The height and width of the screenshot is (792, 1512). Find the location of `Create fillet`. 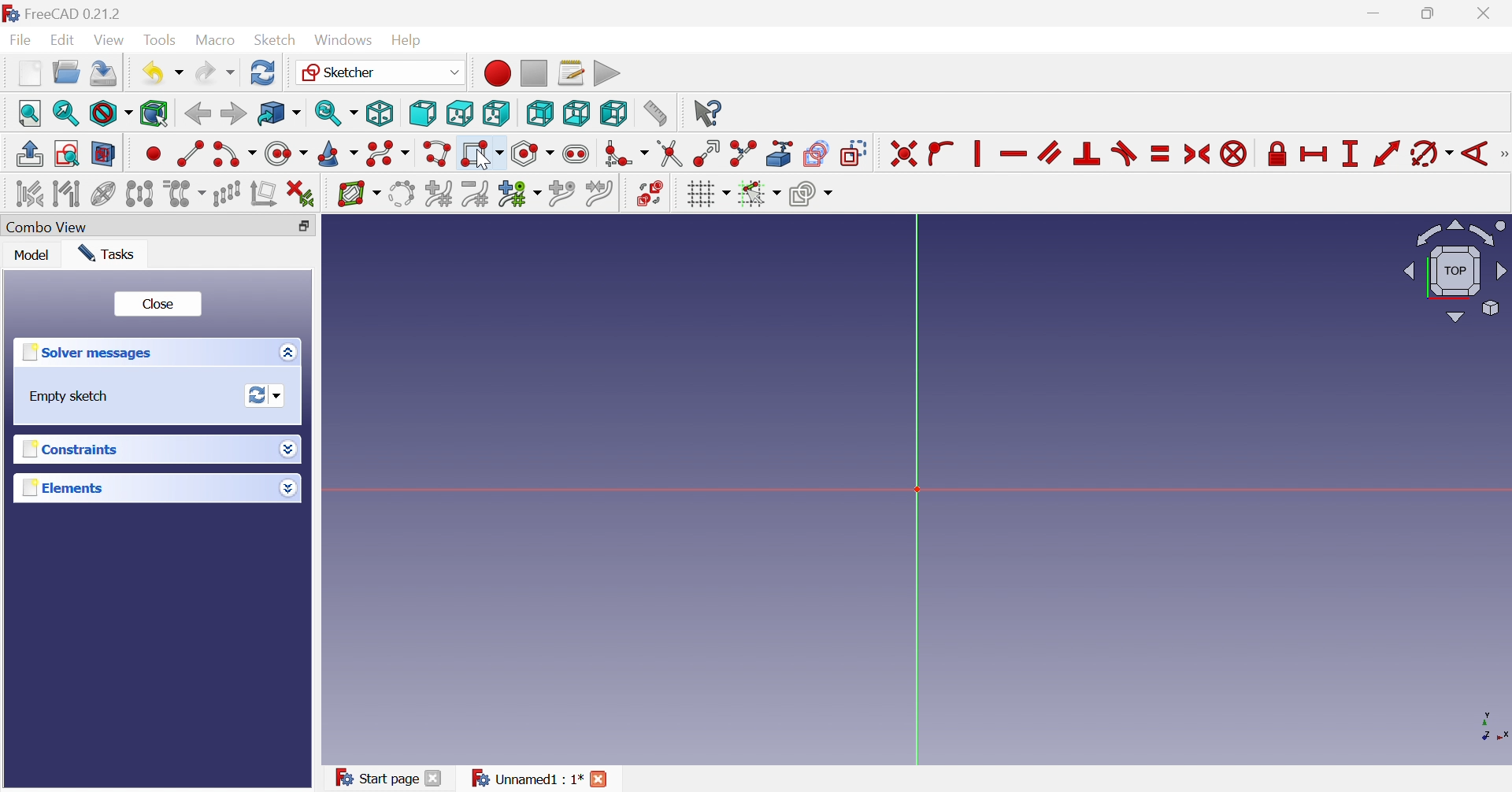

Create fillet is located at coordinates (625, 154).